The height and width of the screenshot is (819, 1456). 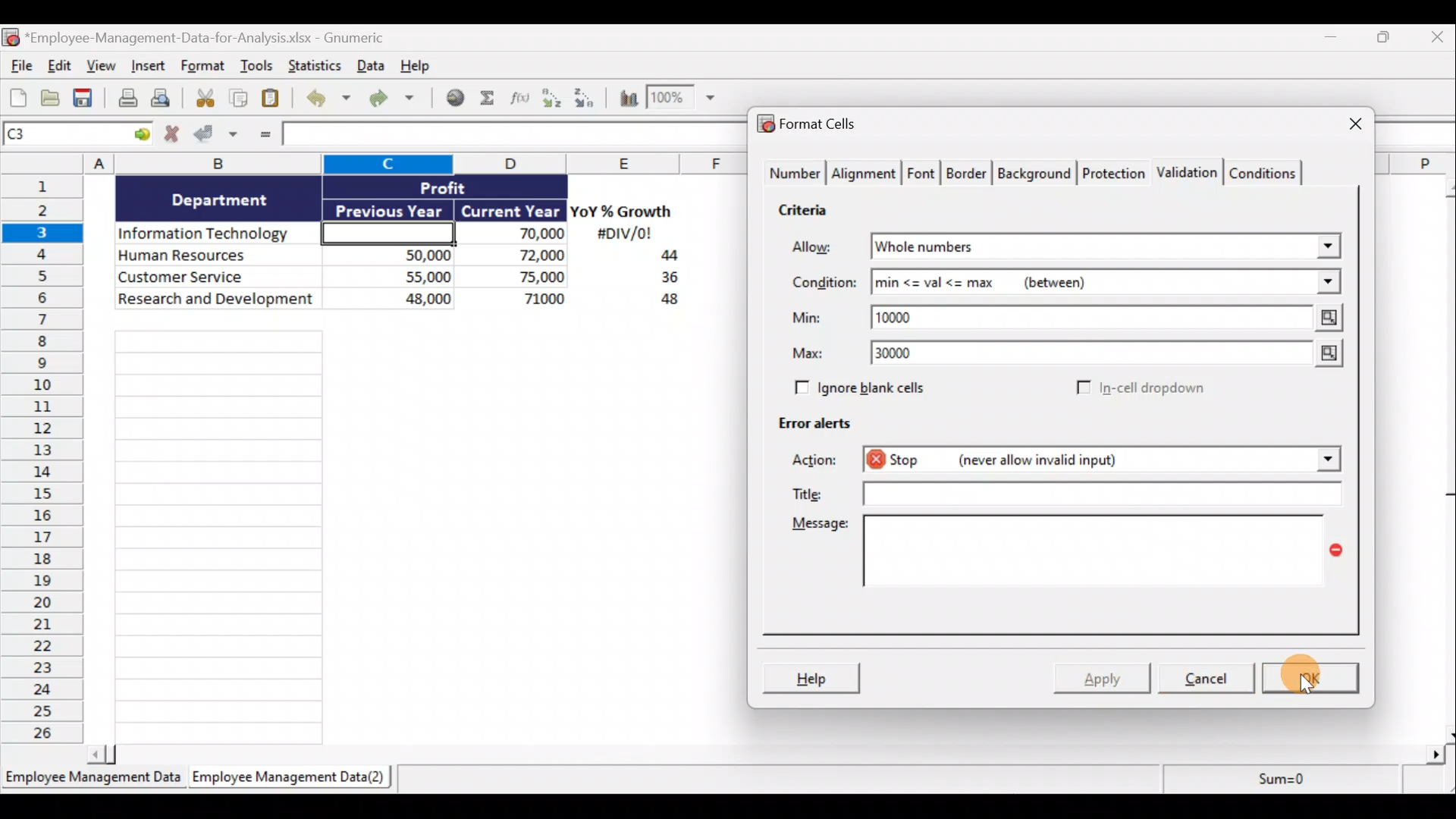 What do you see at coordinates (384, 231) in the screenshot?
I see `Cell C3` at bounding box center [384, 231].